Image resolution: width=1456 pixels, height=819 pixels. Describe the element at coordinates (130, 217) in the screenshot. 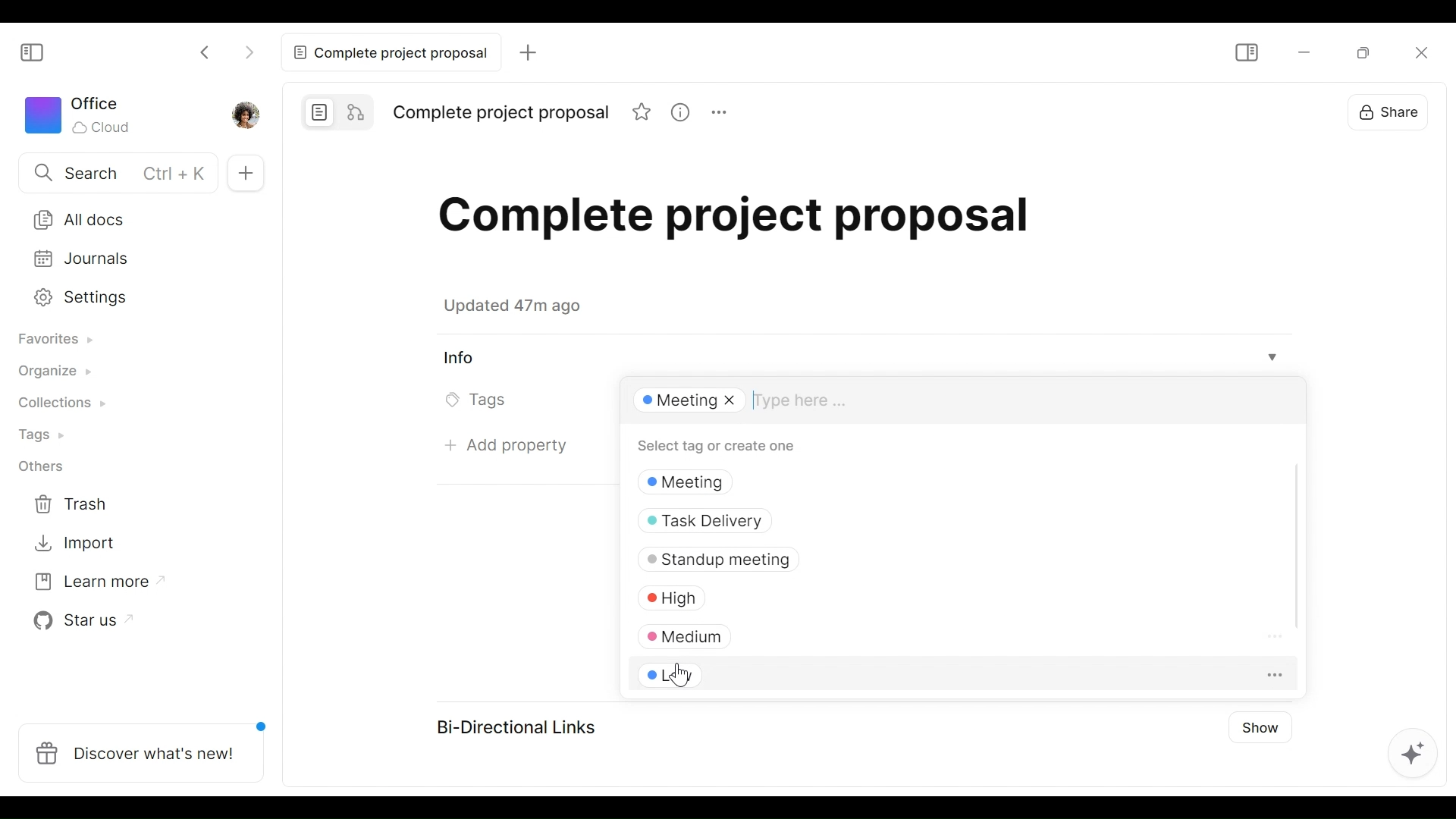

I see `All documents` at that location.